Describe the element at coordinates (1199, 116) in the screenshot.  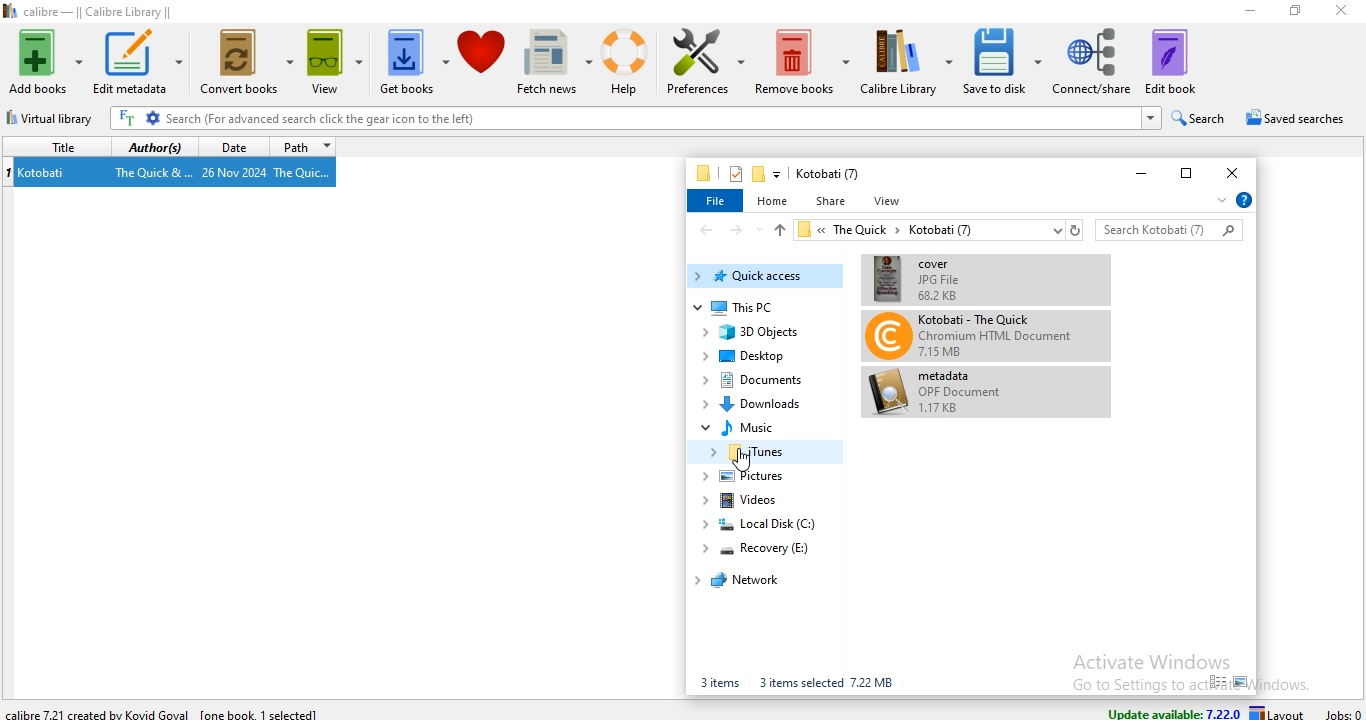
I see `search` at that location.